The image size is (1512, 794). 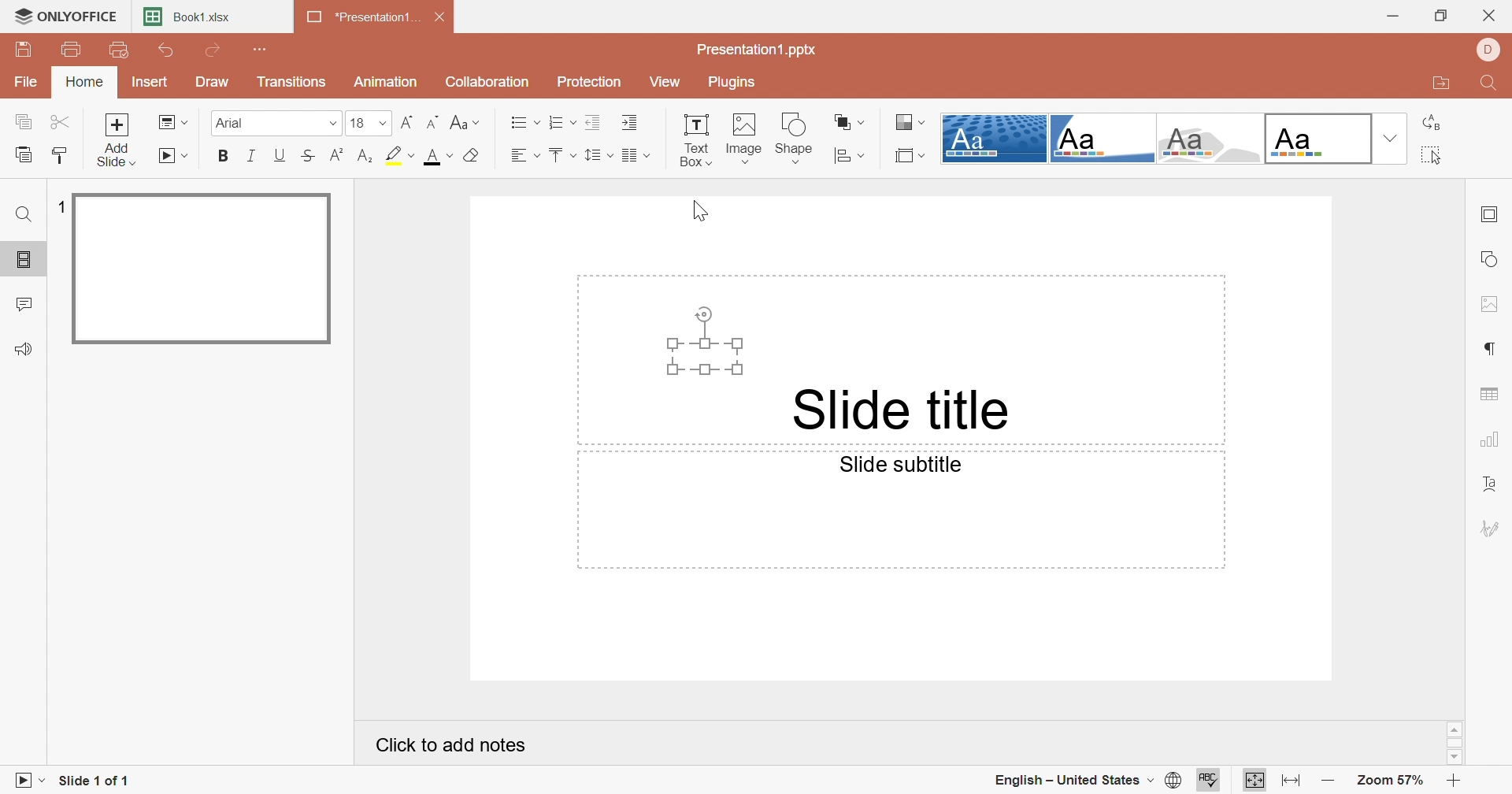 I want to click on 1, so click(x=59, y=206).